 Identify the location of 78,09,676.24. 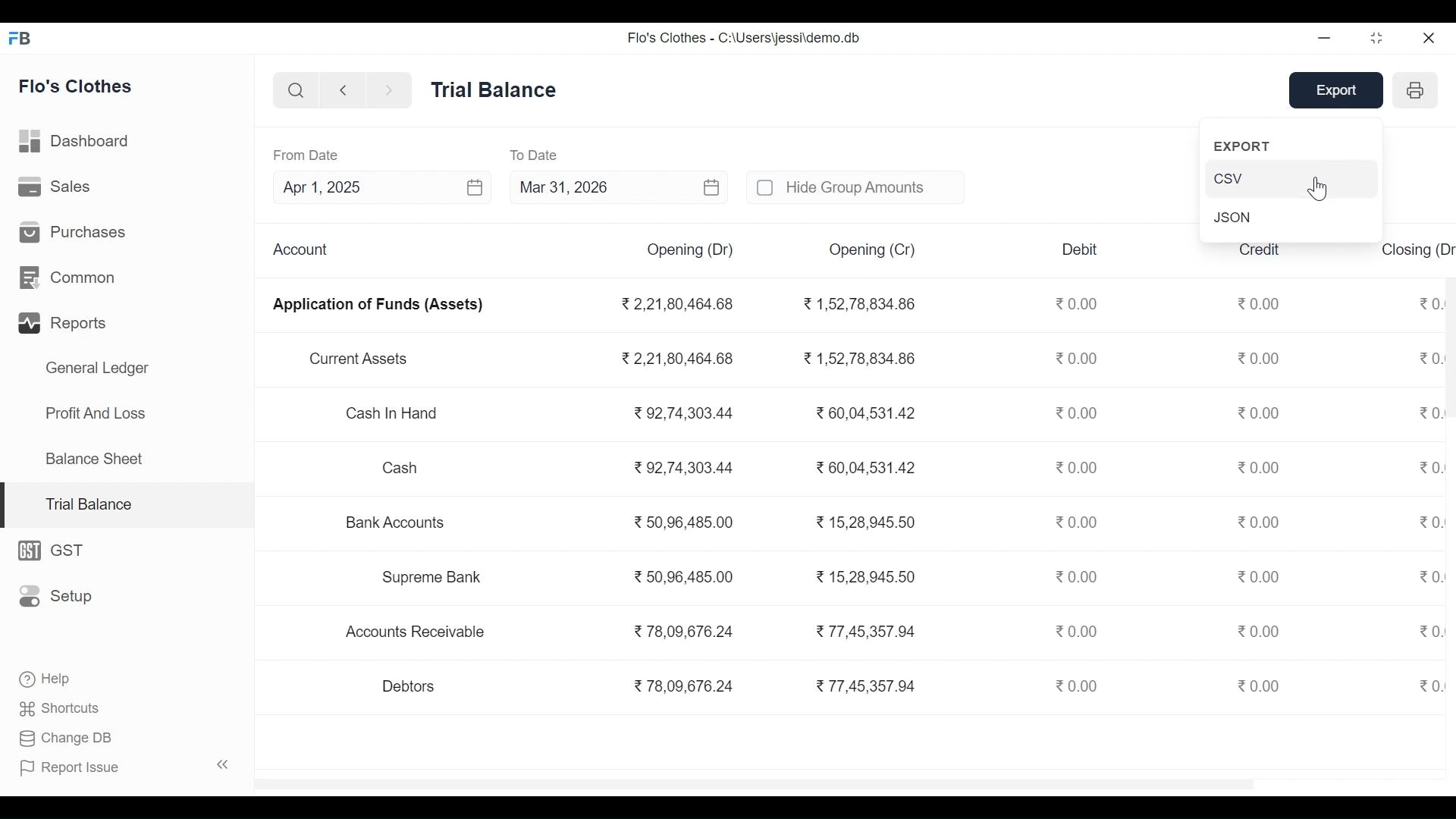
(682, 629).